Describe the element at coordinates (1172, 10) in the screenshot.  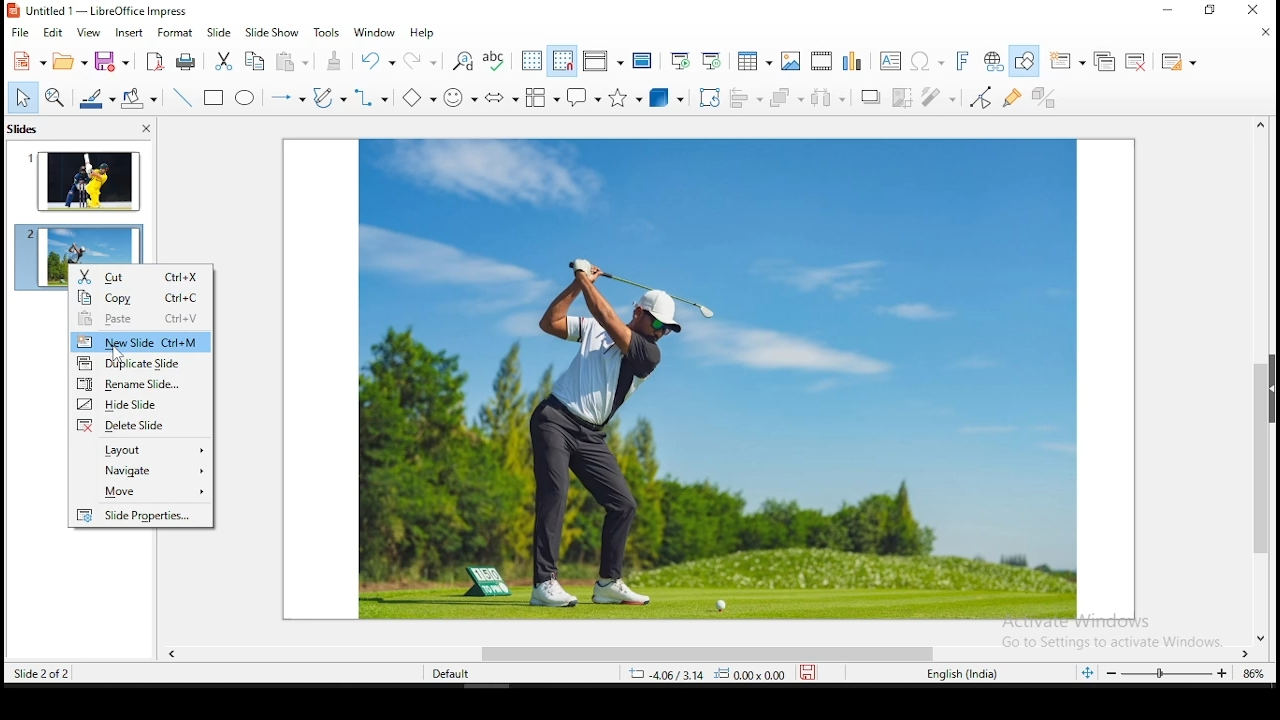
I see `minimize` at that location.